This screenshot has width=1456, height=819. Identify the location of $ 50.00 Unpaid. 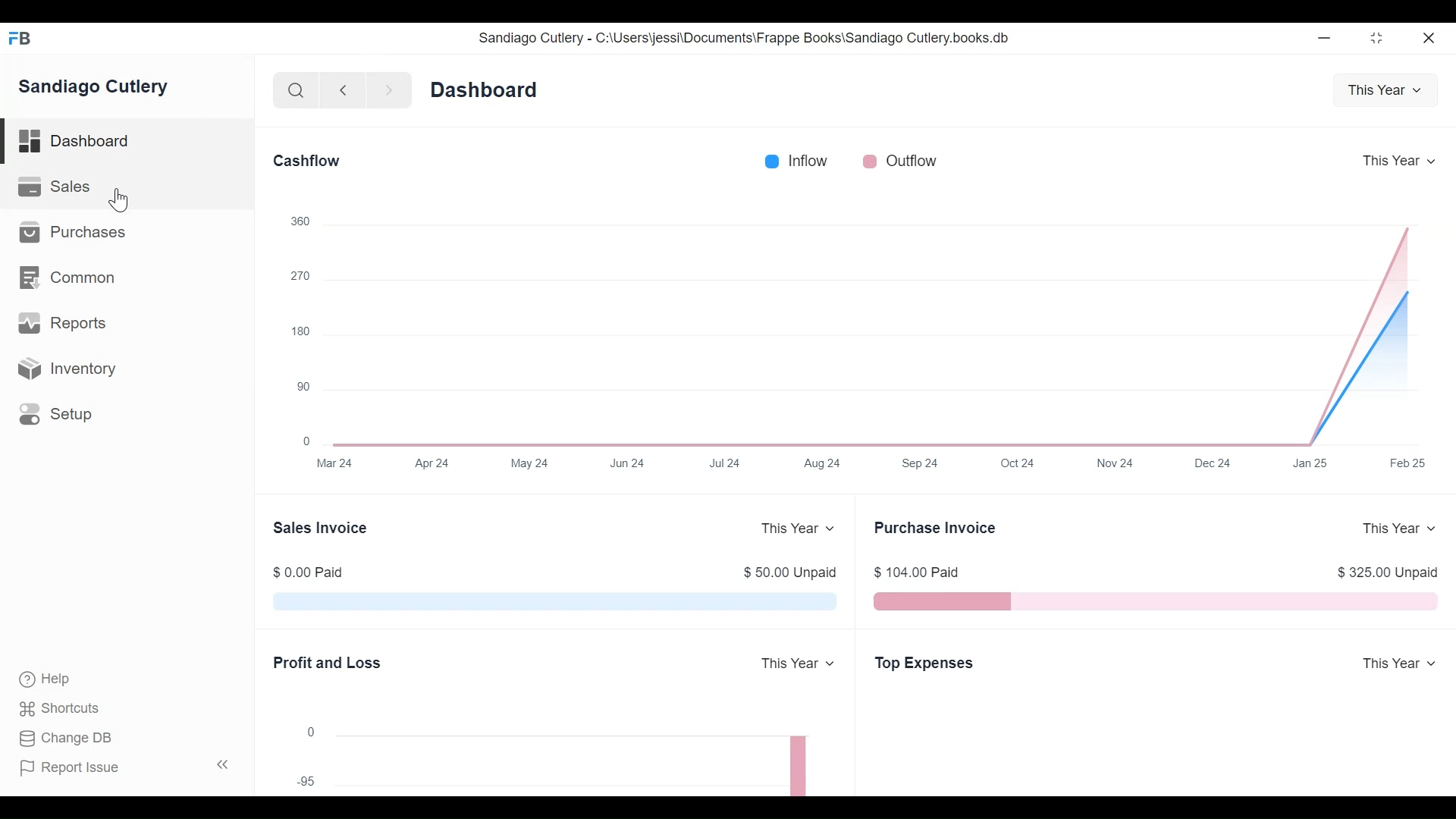
(789, 572).